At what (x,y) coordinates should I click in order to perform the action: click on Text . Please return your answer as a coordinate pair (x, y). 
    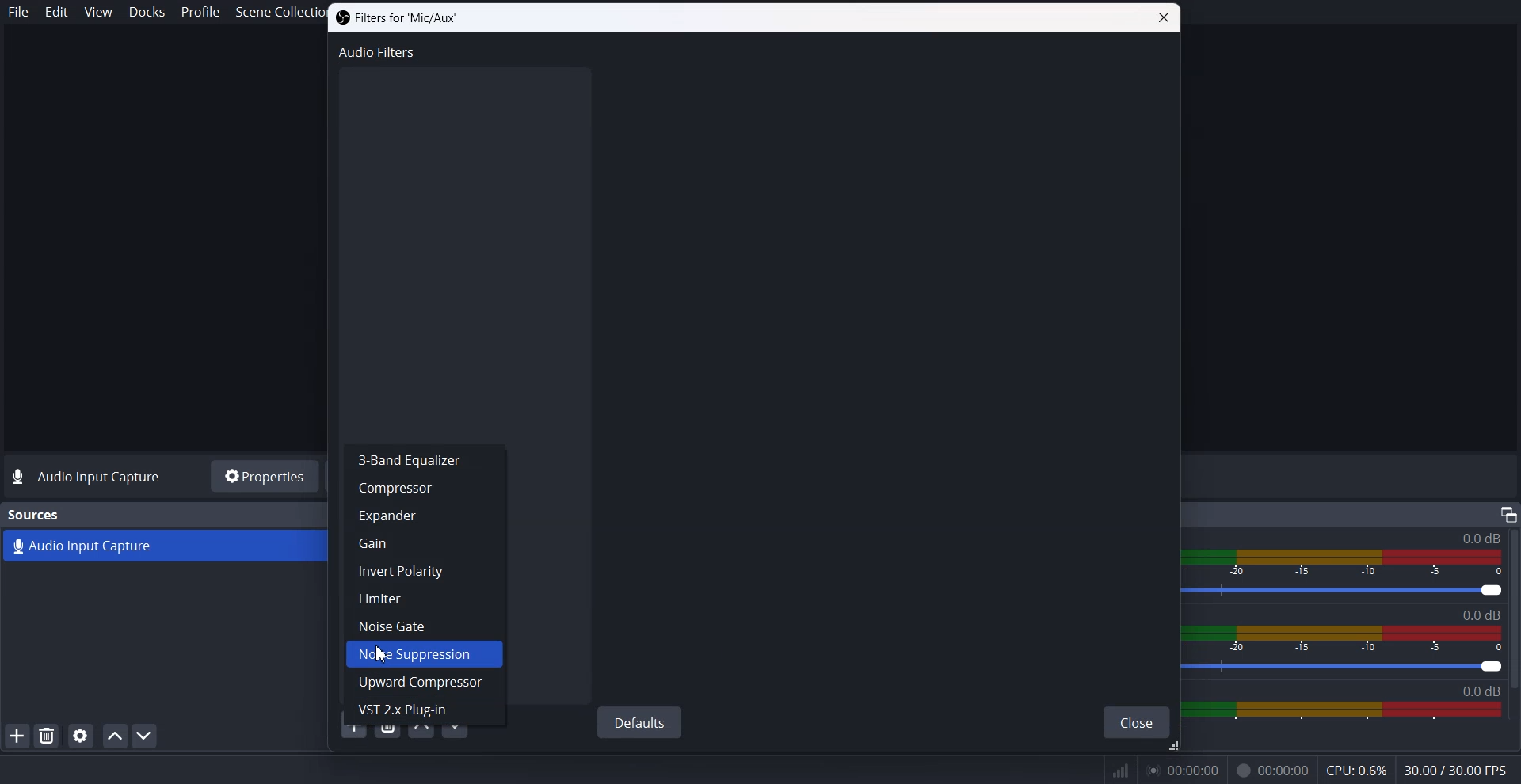
    Looking at the image, I should click on (89, 478).